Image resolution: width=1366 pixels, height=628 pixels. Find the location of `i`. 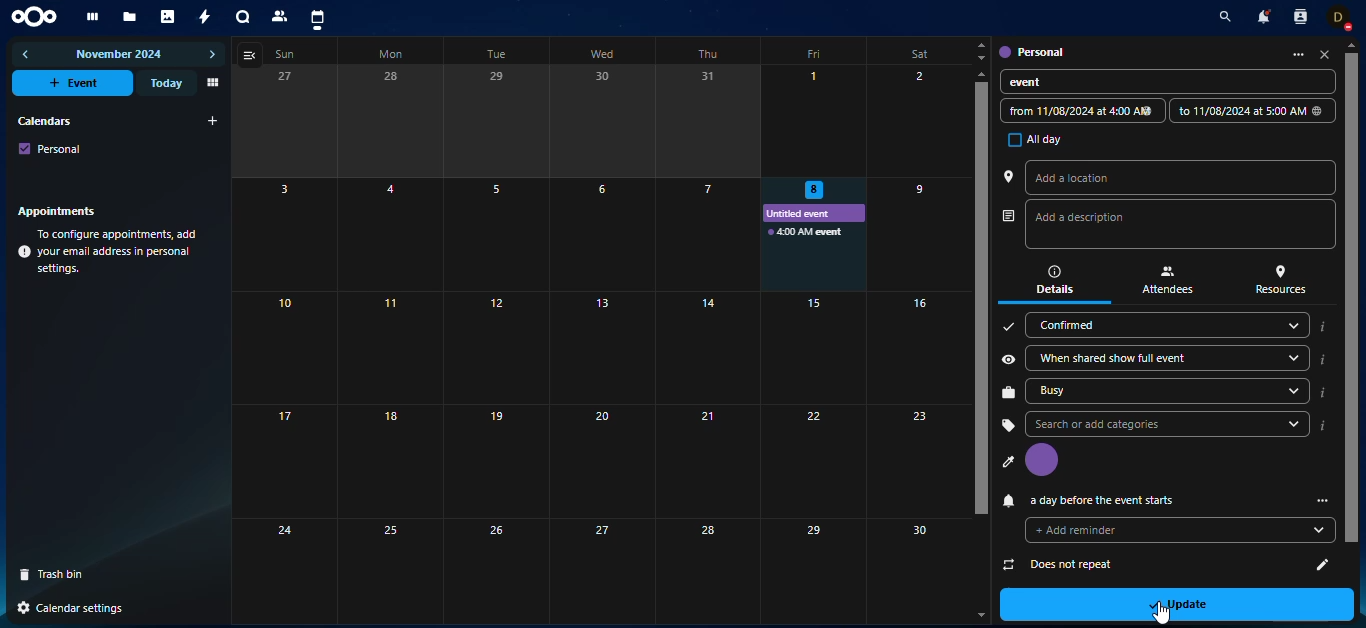

i is located at coordinates (1324, 425).